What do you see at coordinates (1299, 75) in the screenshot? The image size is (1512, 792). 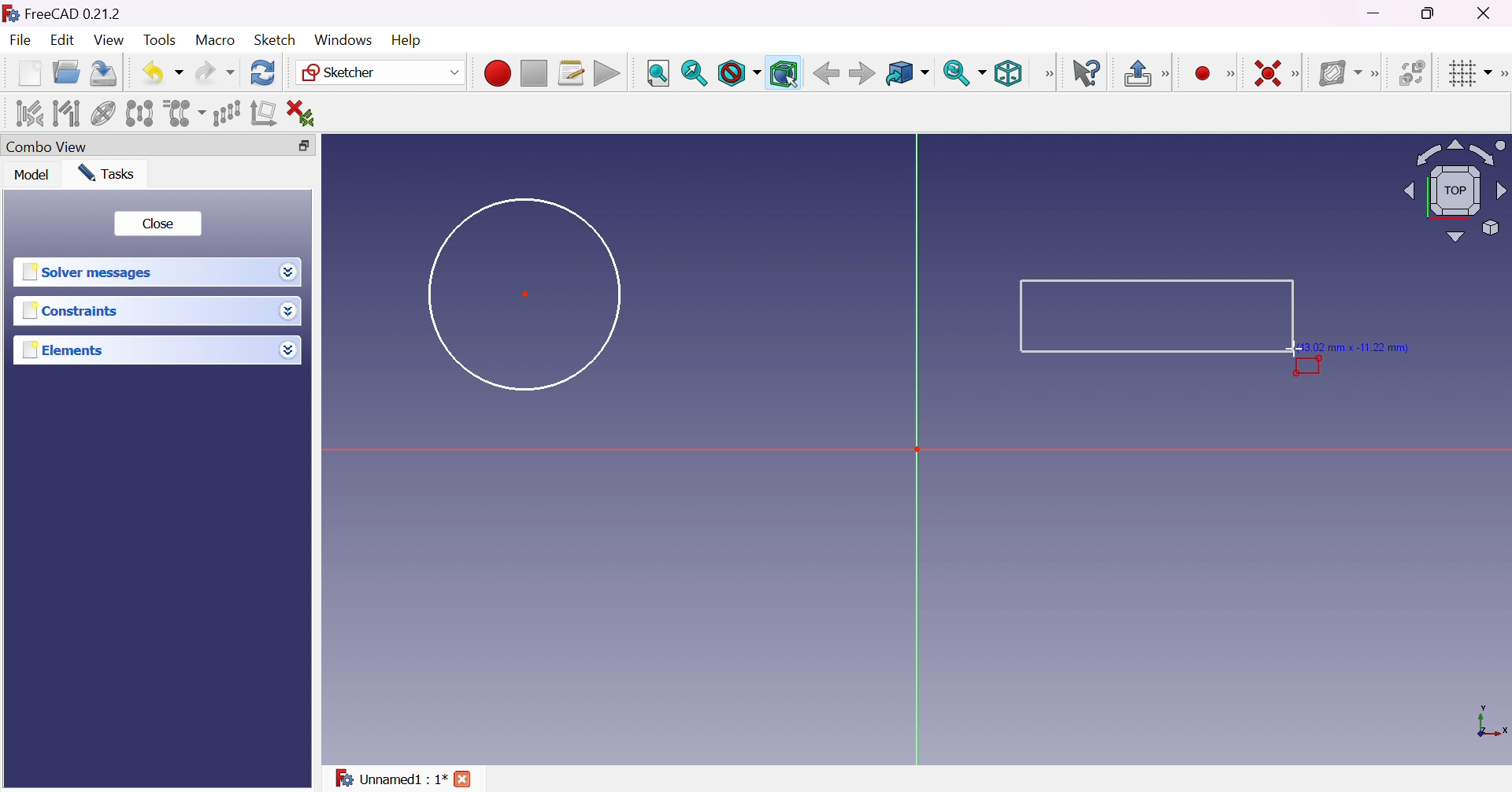 I see `[Sketcher constraints]` at bounding box center [1299, 75].